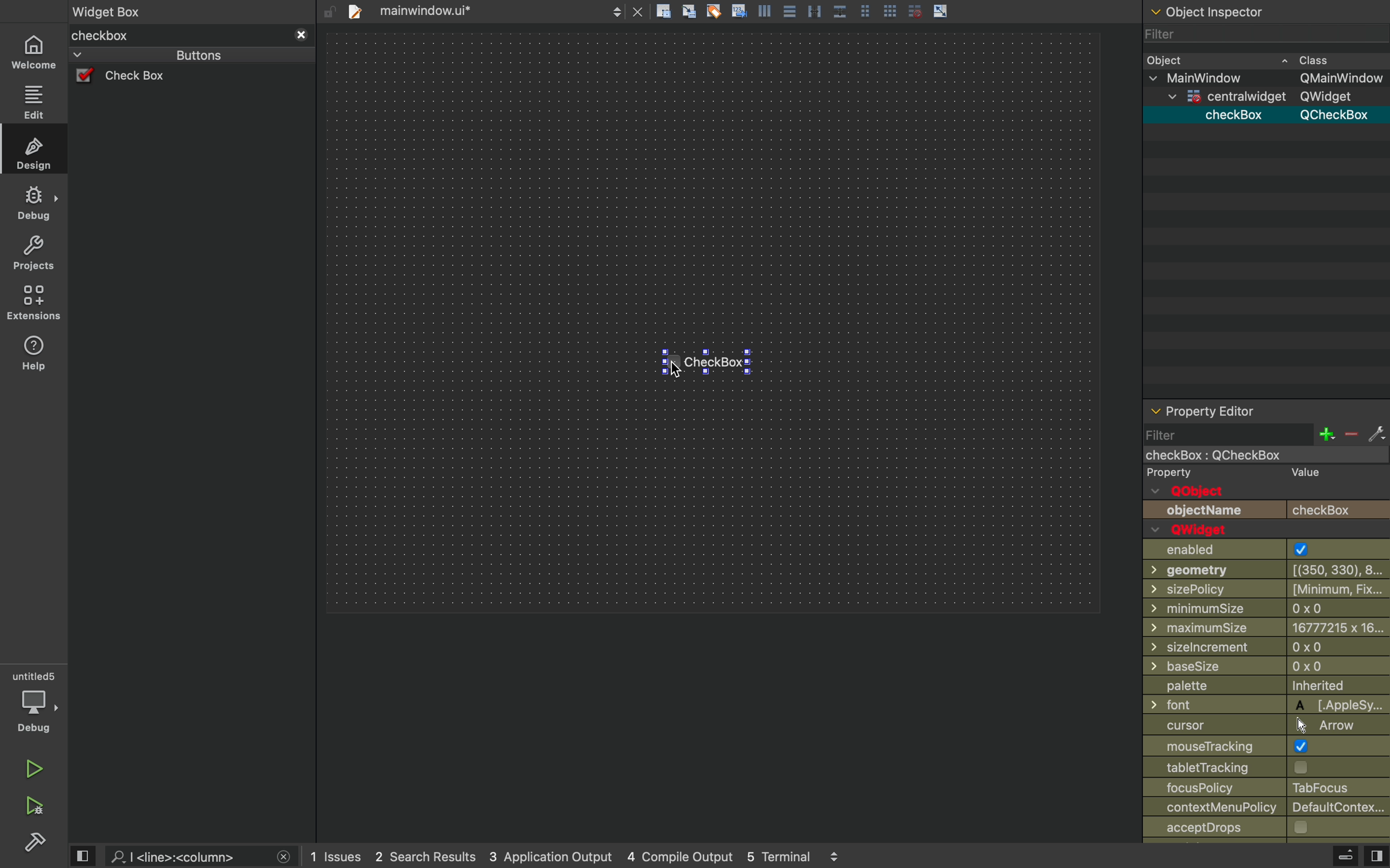  What do you see at coordinates (34, 100) in the screenshot?
I see `edit` at bounding box center [34, 100].